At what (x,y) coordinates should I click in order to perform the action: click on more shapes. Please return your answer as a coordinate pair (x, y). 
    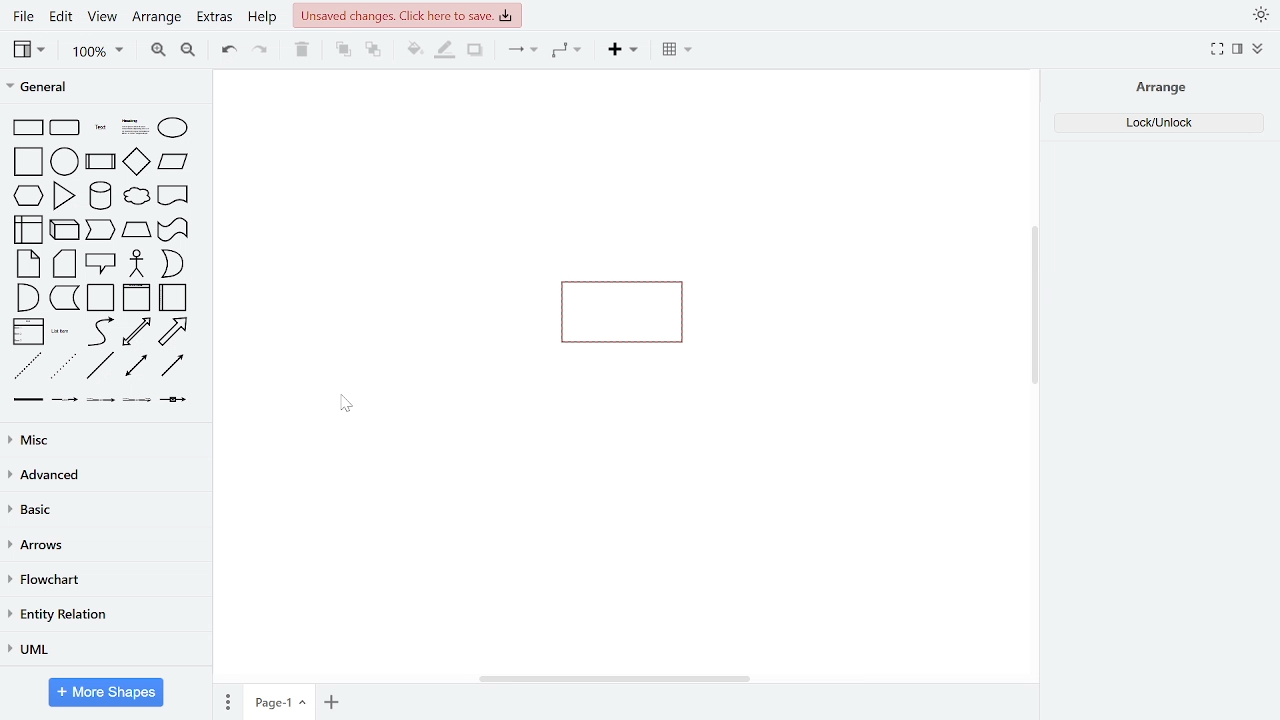
    Looking at the image, I should click on (108, 692).